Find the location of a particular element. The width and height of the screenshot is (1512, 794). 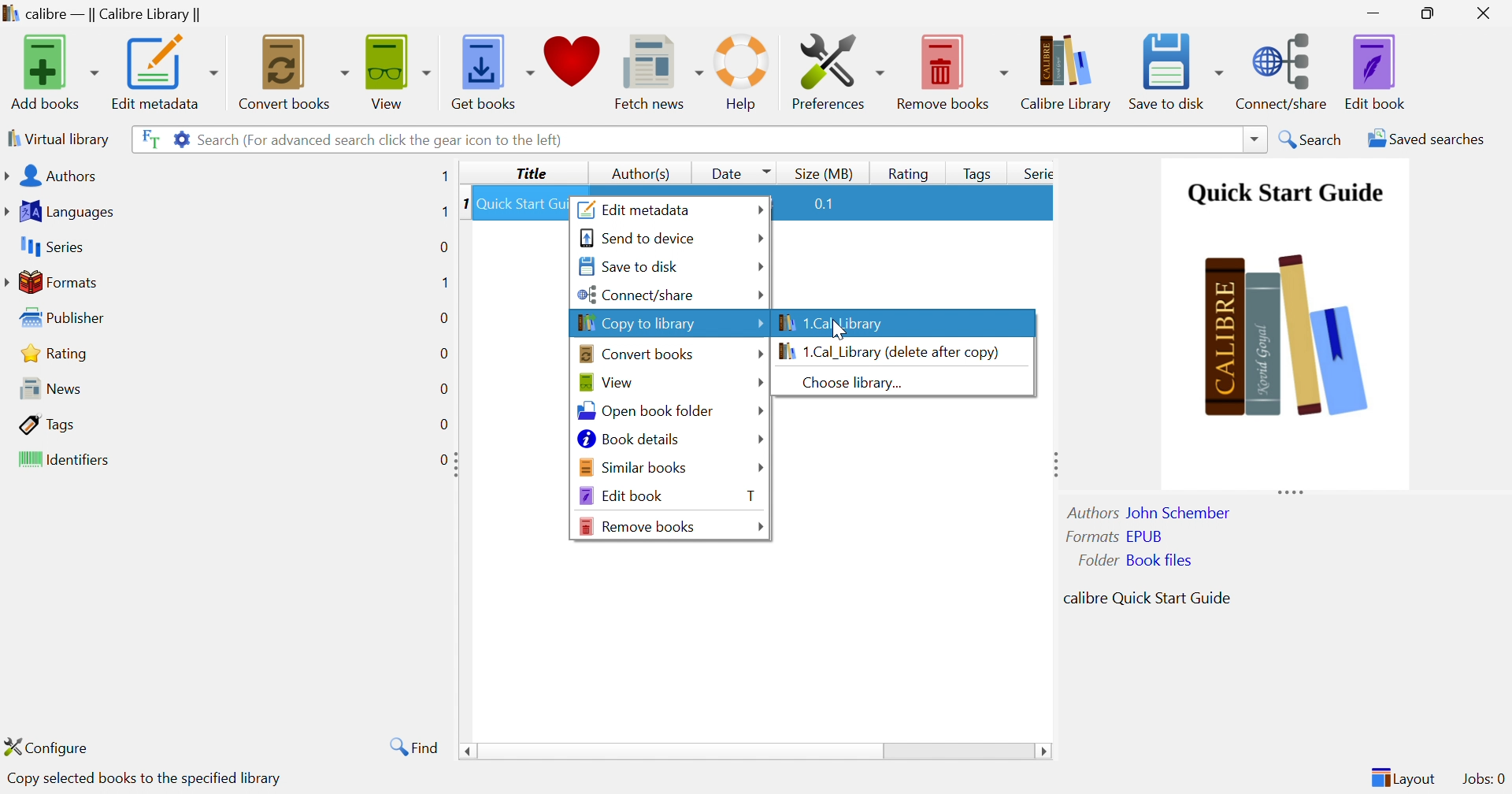

Remove Books is located at coordinates (951, 69).